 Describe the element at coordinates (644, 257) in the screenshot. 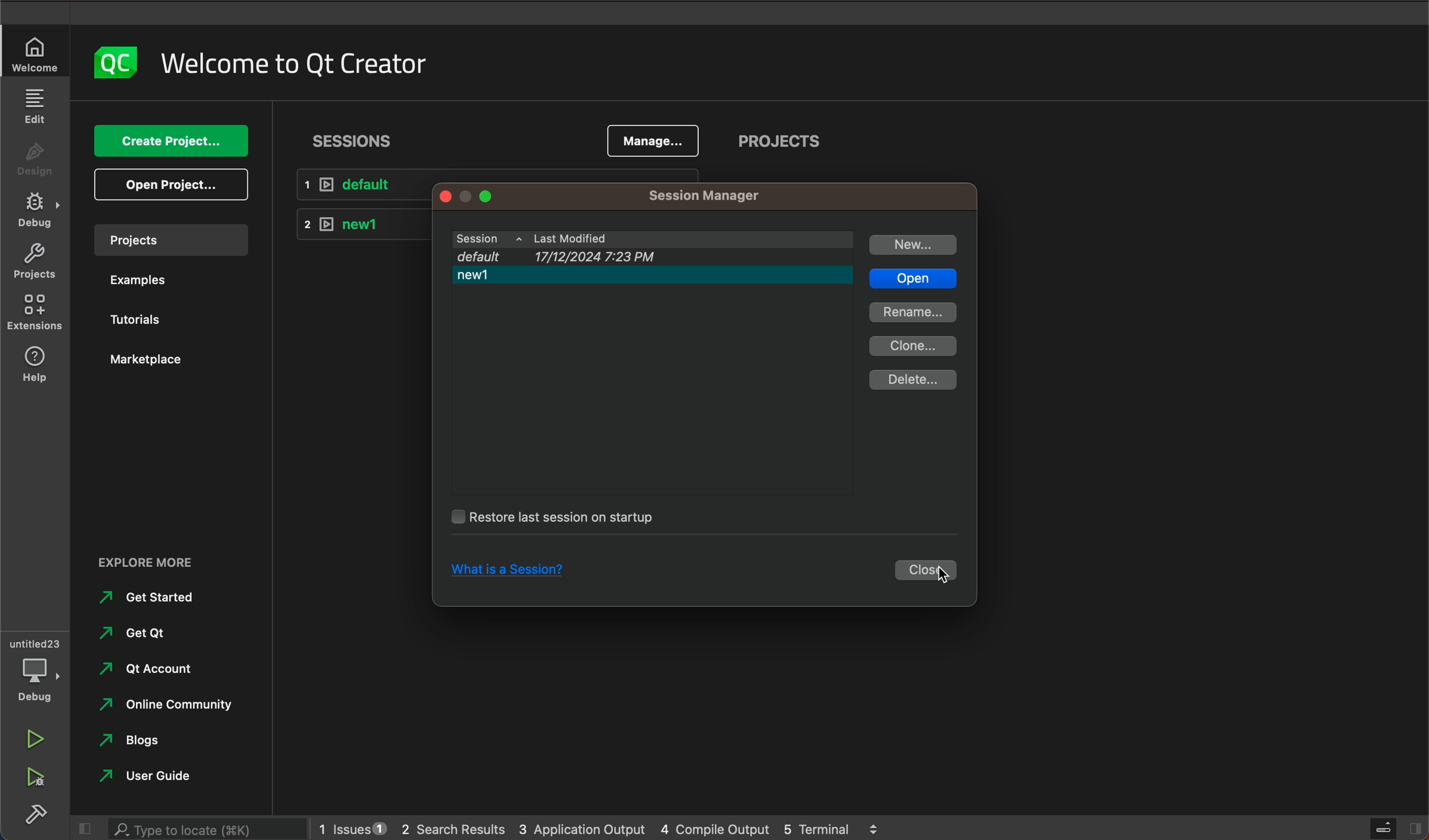

I see `default 17/12/2024 7:23pm` at that location.